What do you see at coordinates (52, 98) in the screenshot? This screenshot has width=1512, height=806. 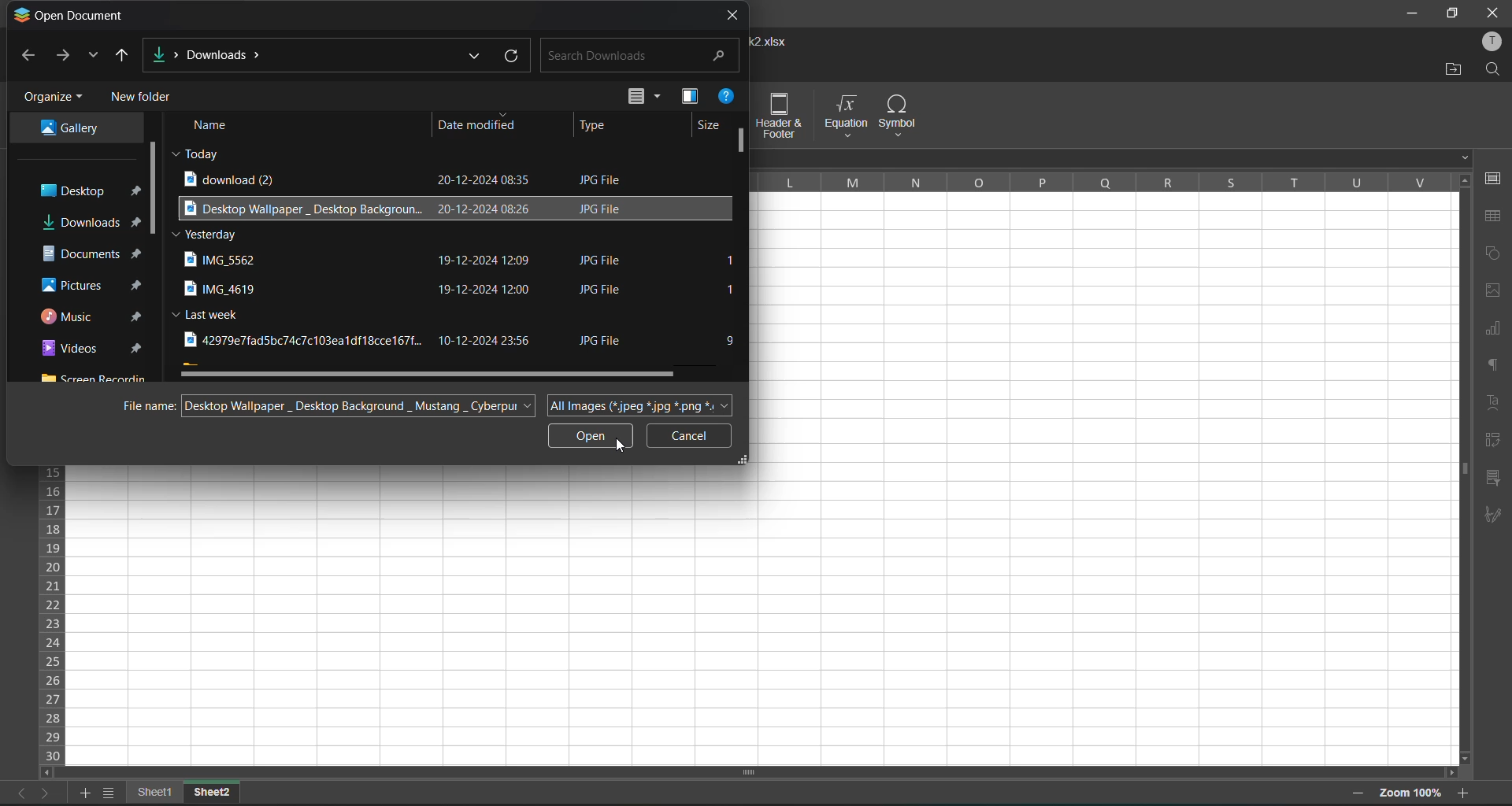 I see `organize` at bounding box center [52, 98].